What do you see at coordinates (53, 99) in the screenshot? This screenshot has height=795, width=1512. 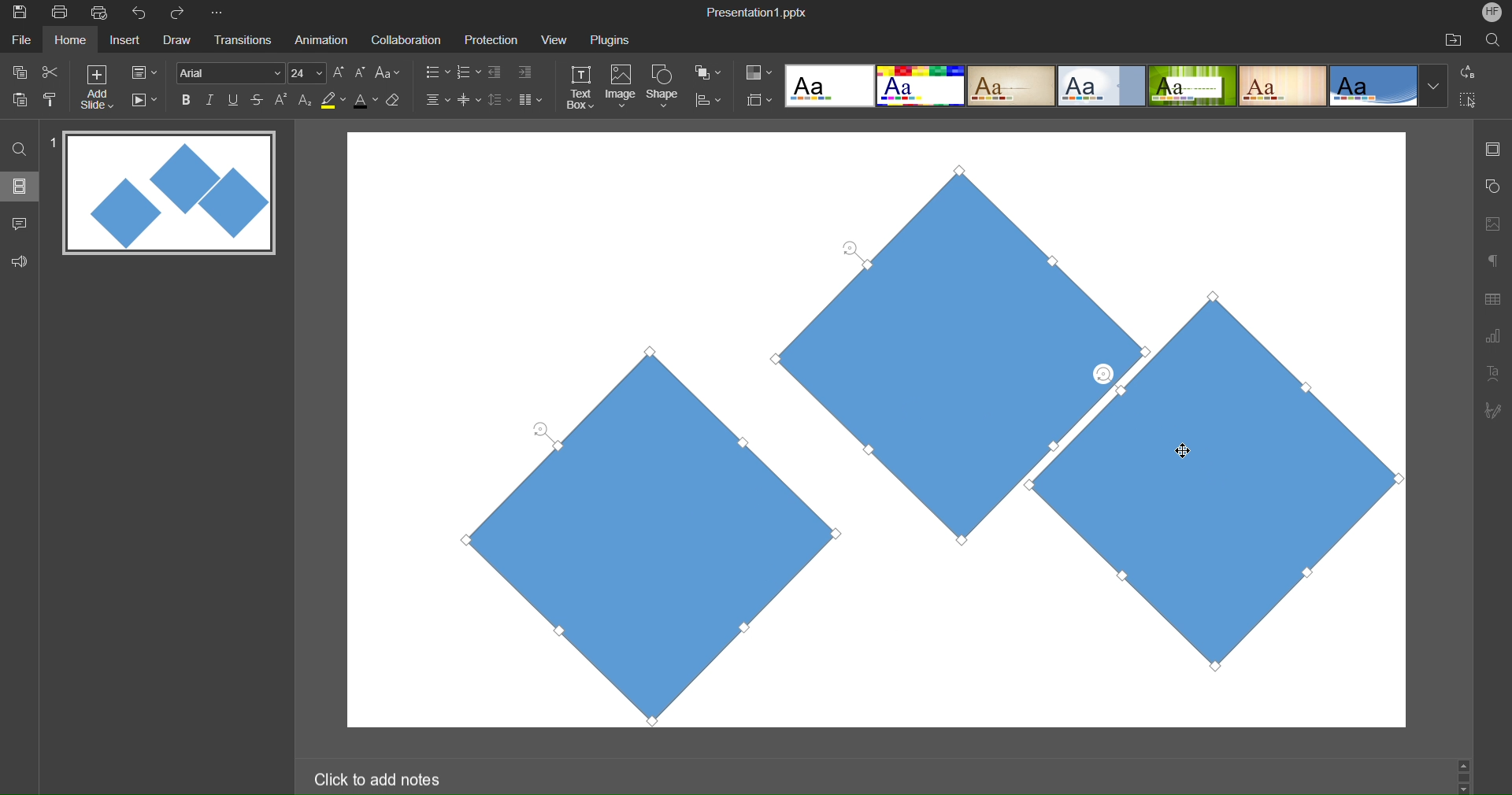 I see `Format painter` at bounding box center [53, 99].